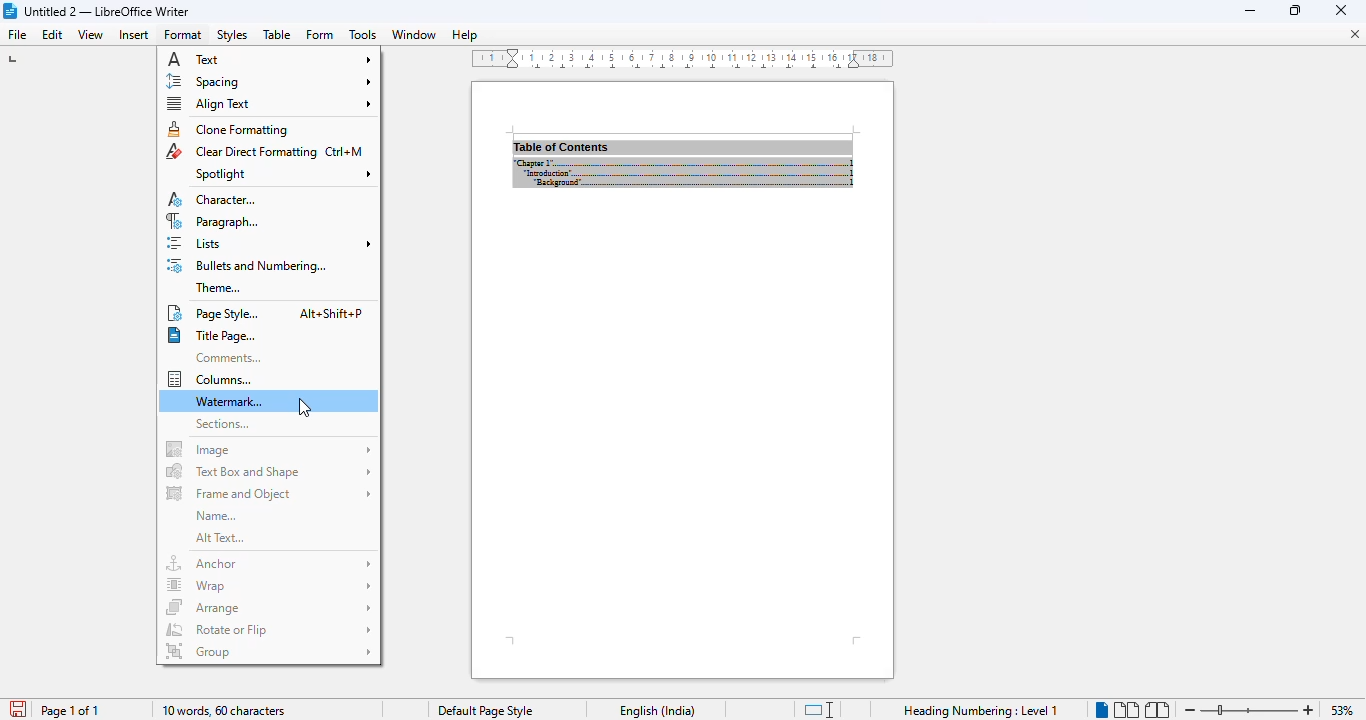 Image resolution: width=1366 pixels, height=720 pixels. I want to click on file, so click(17, 35).